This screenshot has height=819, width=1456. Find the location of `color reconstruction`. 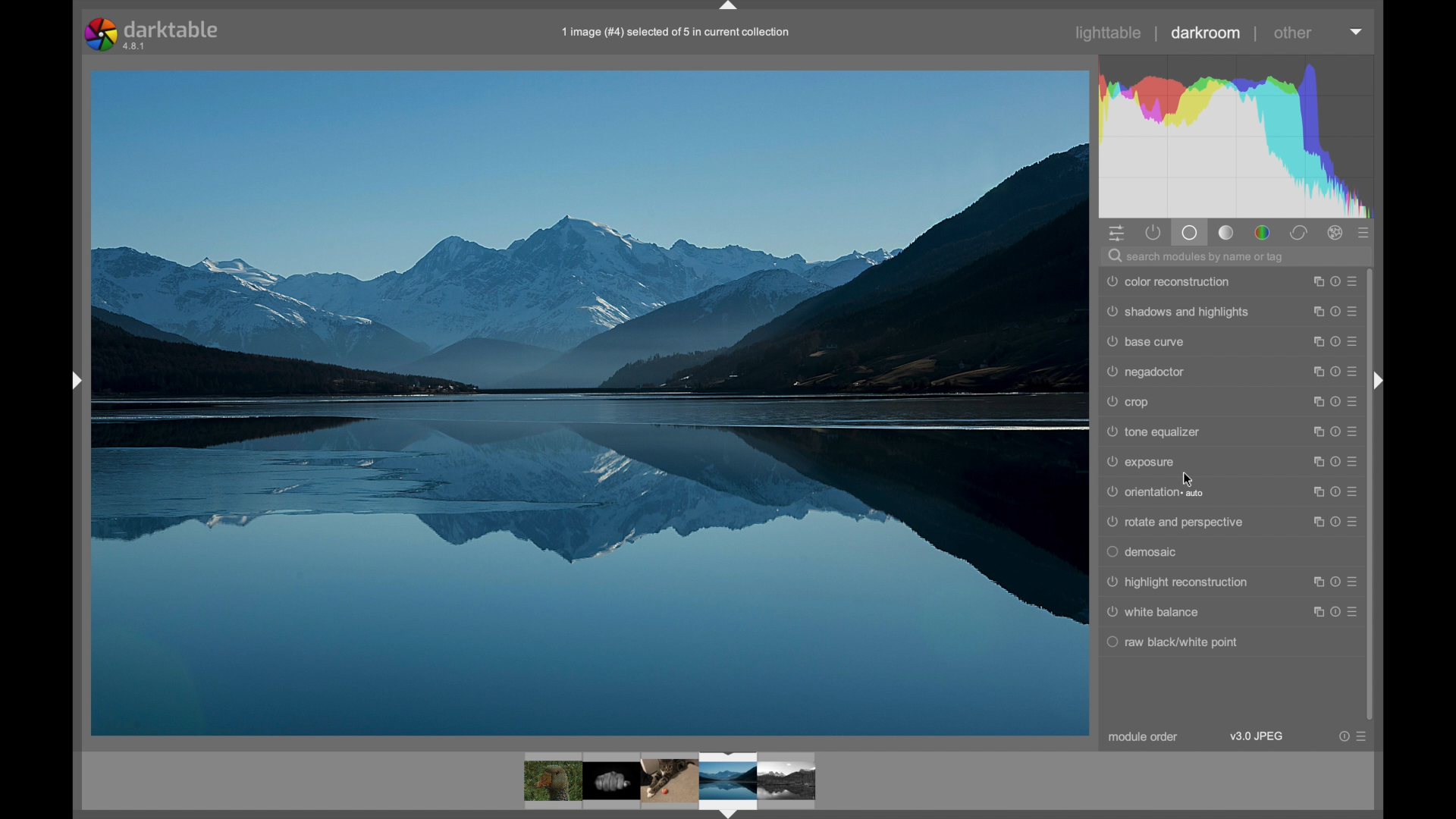

color reconstruction is located at coordinates (1169, 281).